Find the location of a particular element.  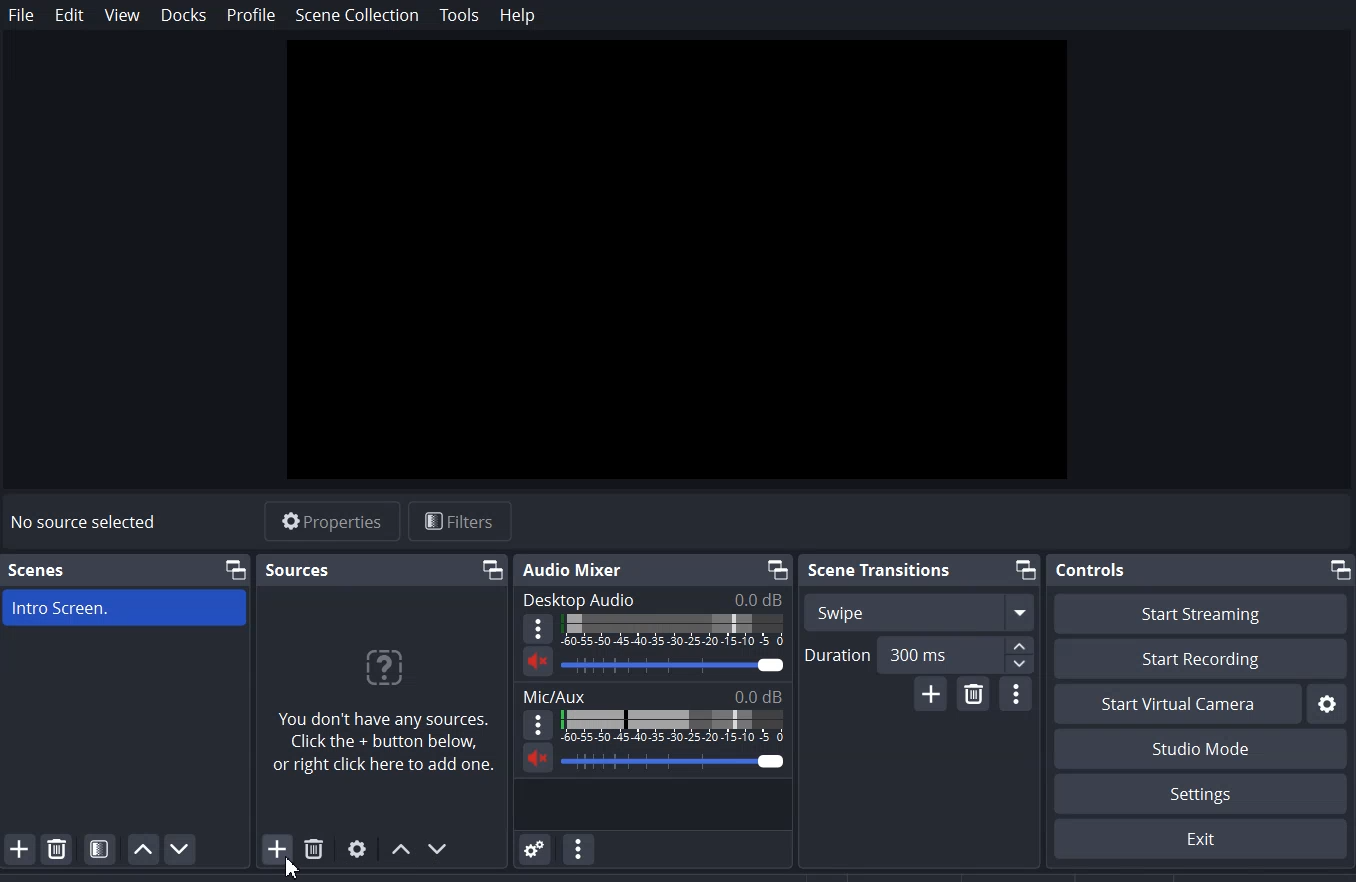

Move Scene Down is located at coordinates (181, 848).